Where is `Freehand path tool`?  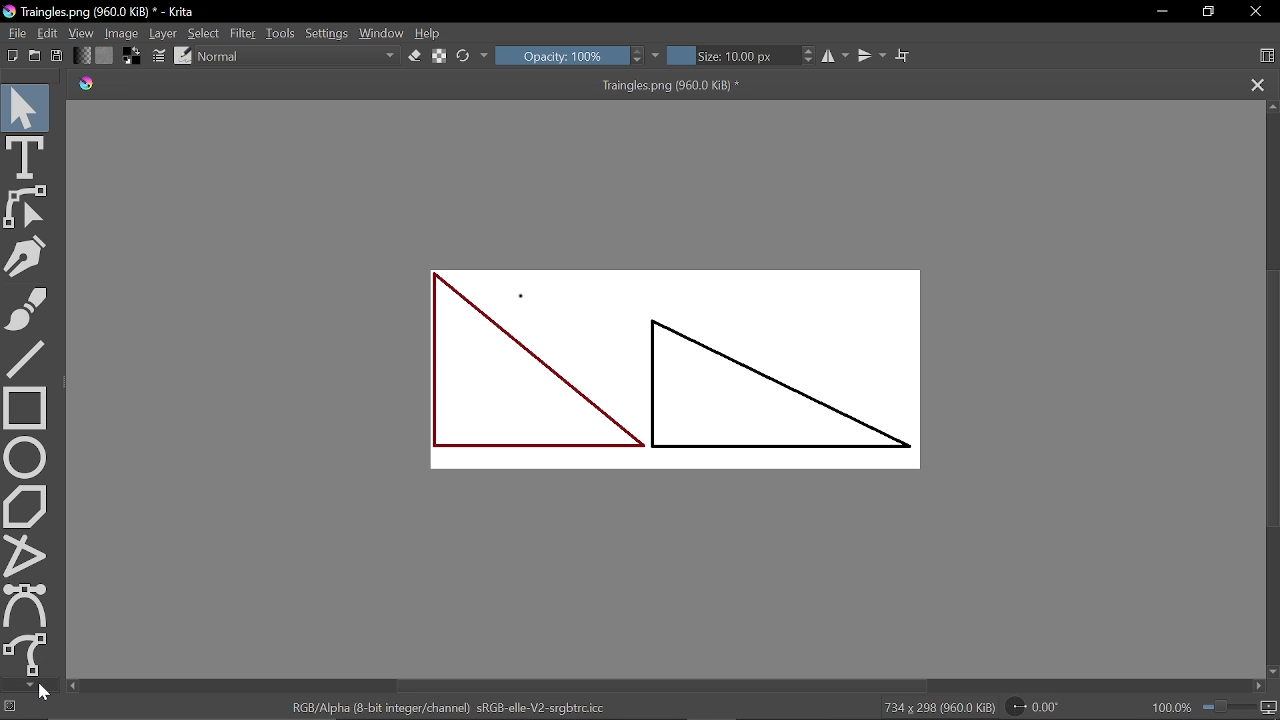
Freehand path tool is located at coordinates (29, 654).